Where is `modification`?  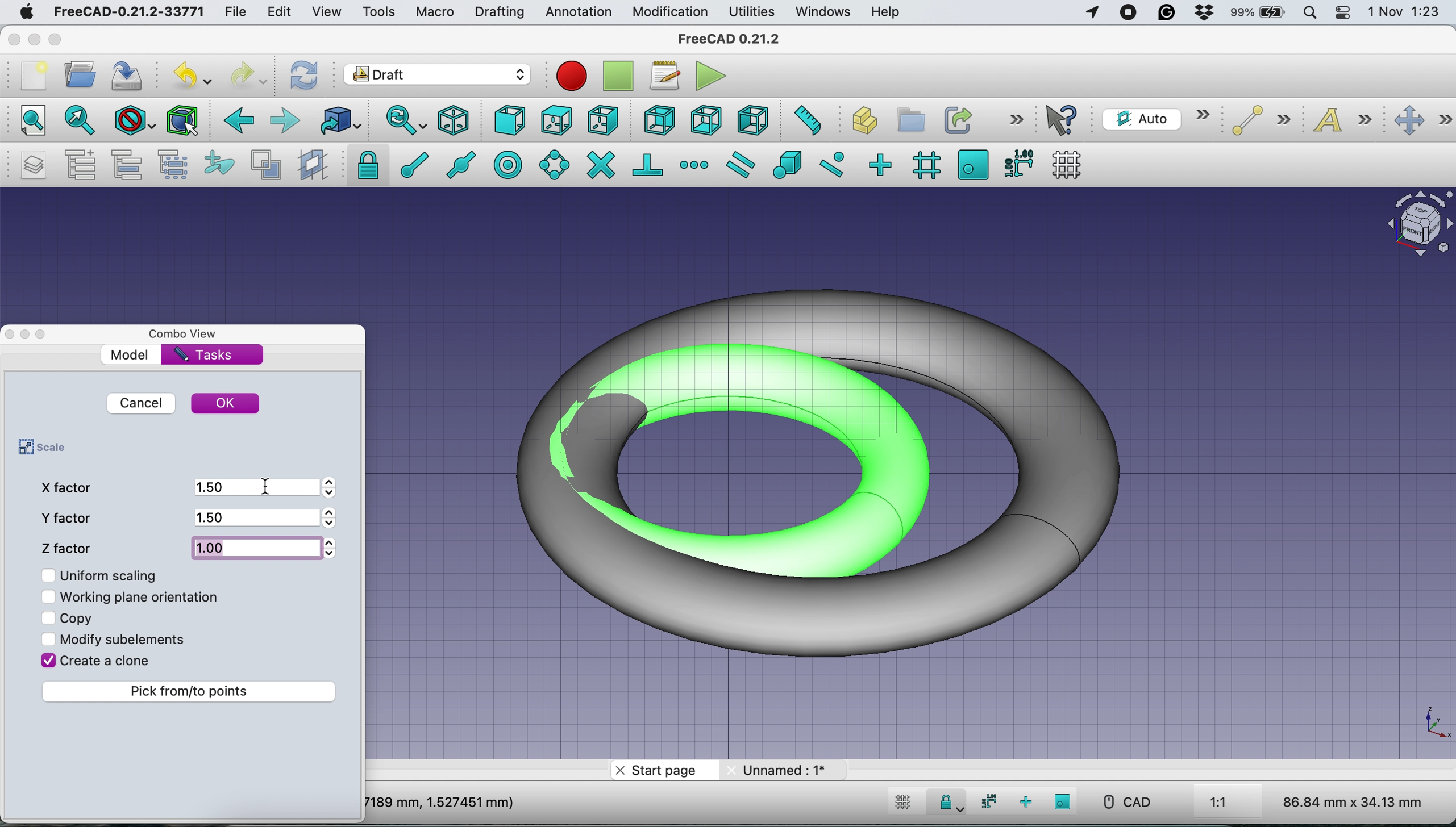
modification is located at coordinates (671, 13).